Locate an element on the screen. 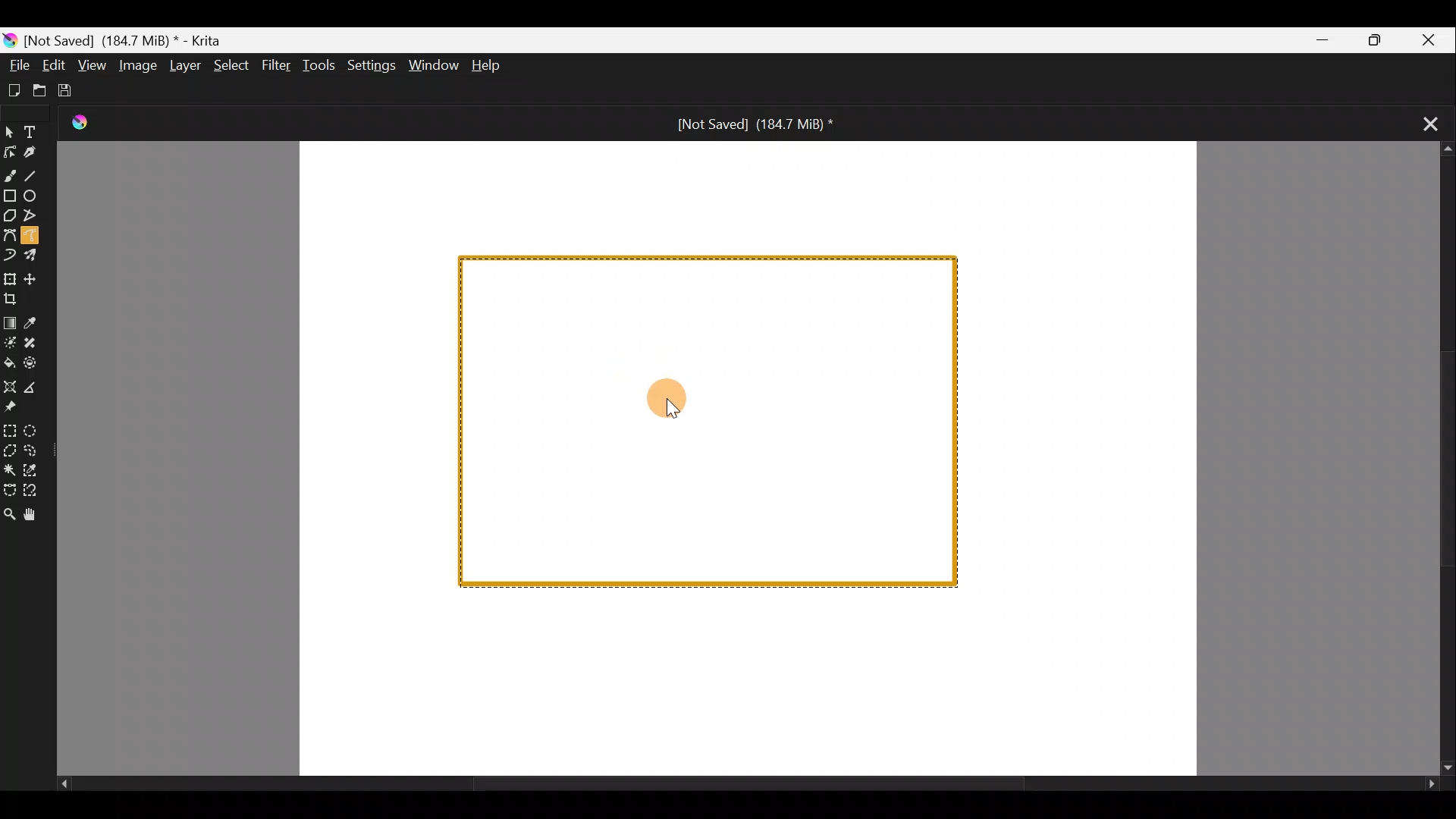 The height and width of the screenshot is (819, 1456). Edit is located at coordinates (47, 64).